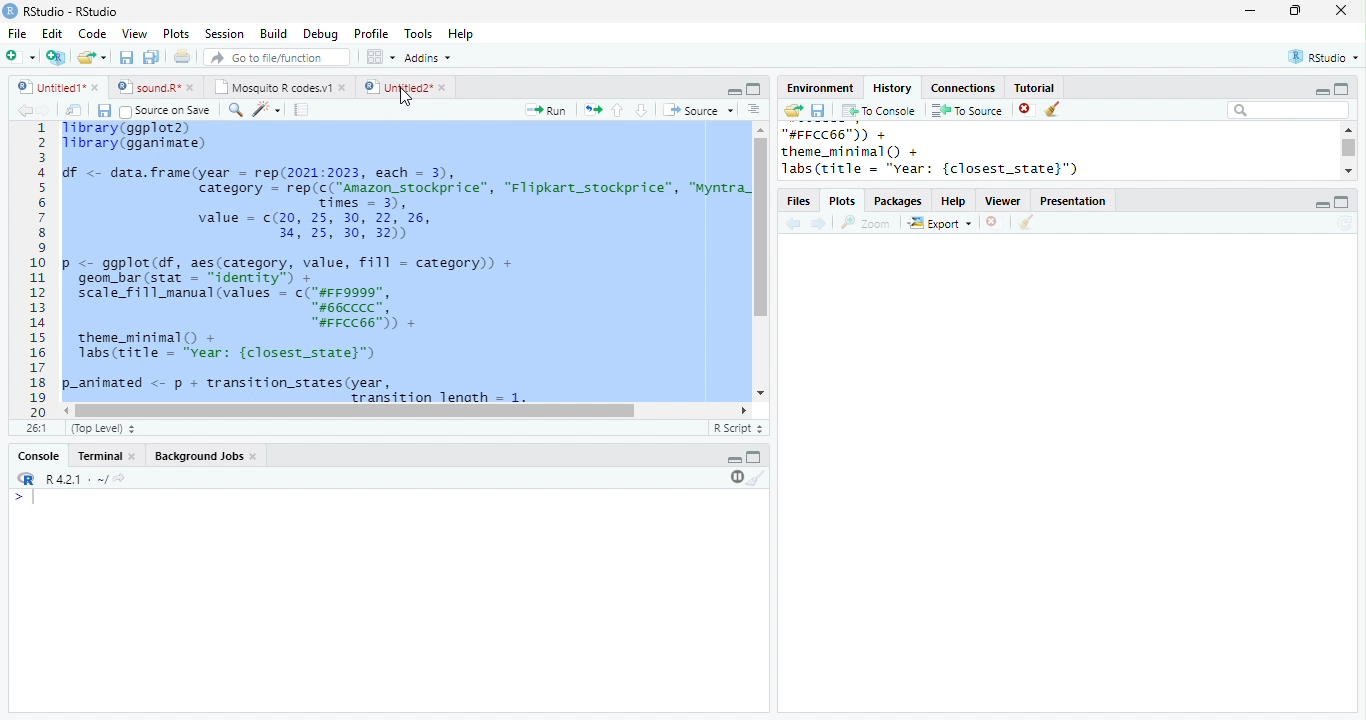 This screenshot has height=720, width=1366. I want to click on To Console, so click(880, 111).